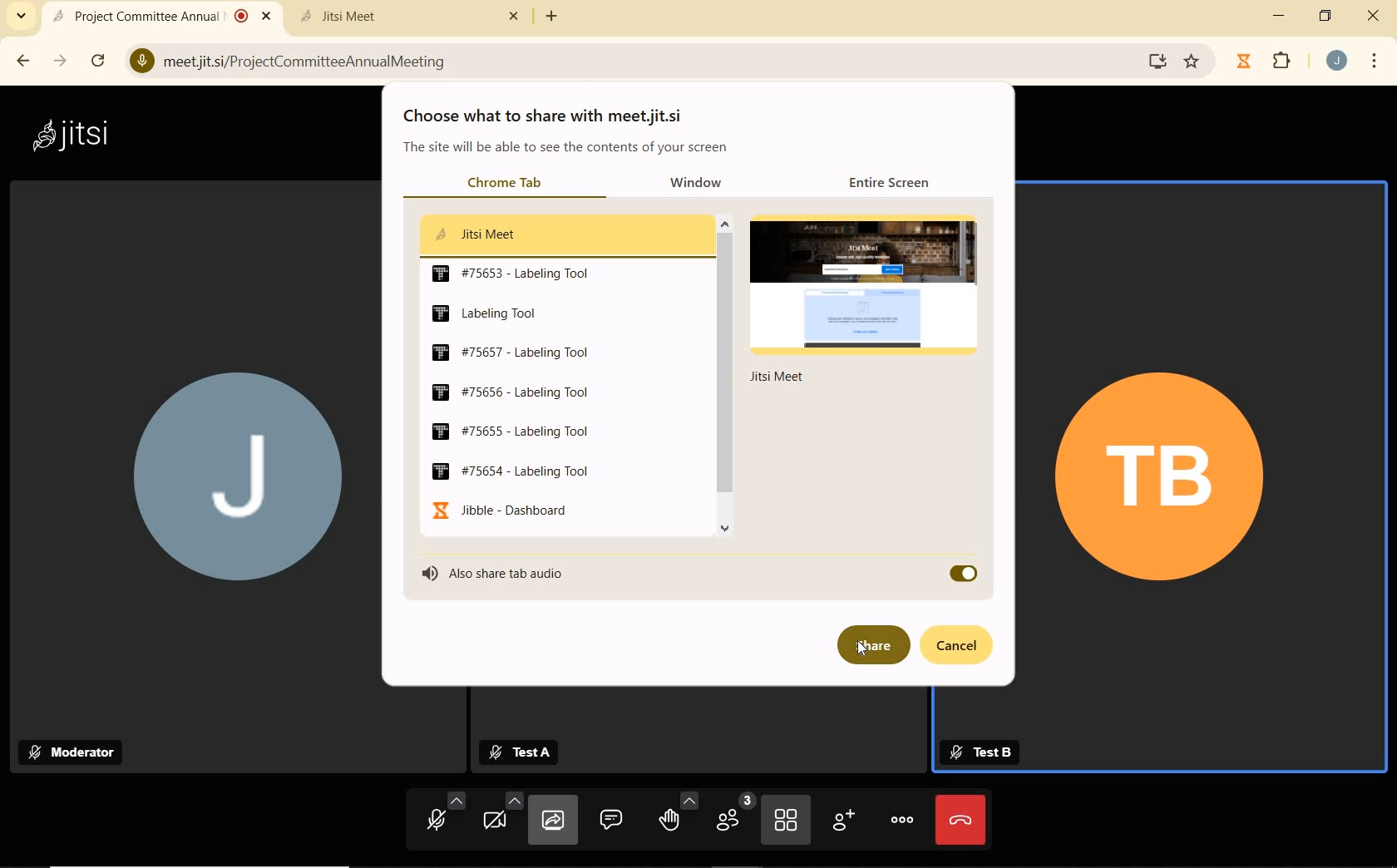 This screenshot has height=868, width=1397. Describe the element at coordinates (527, 752) in the screenshot. I see `Test A` at that location.